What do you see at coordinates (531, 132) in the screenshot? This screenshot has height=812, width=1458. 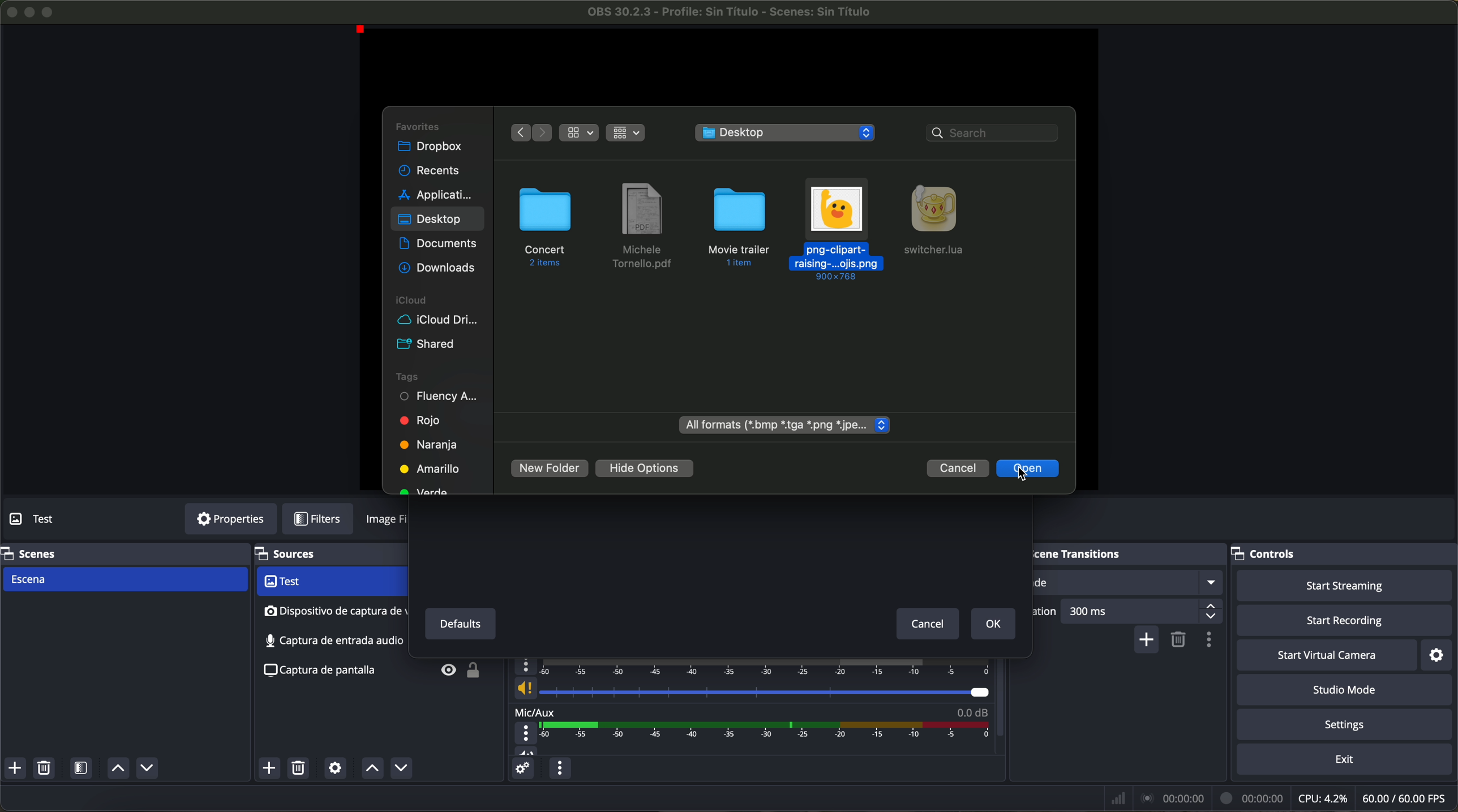 I see `navigate arrows` at bounding box center [531, 132].